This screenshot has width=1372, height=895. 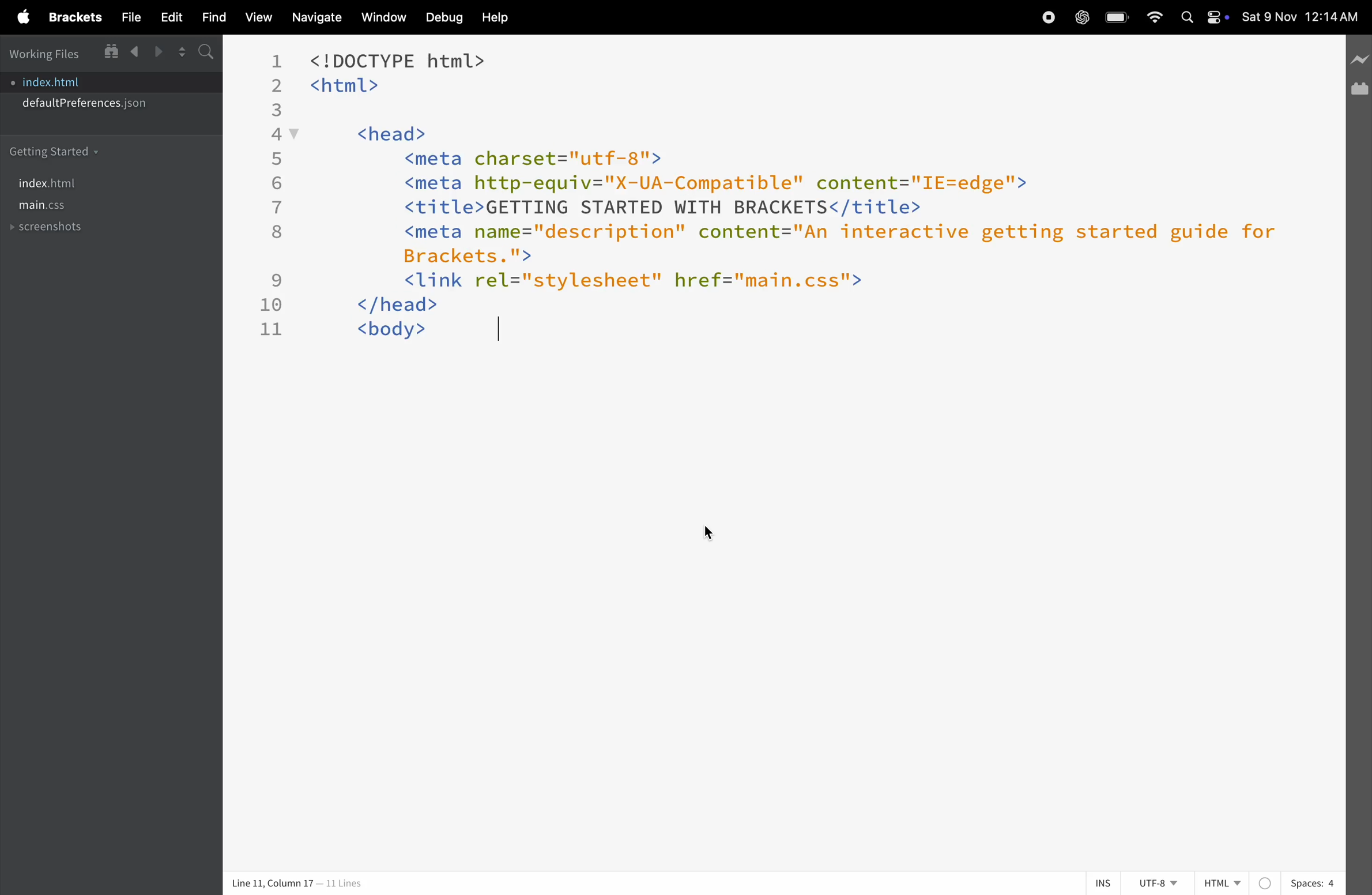 What do you see at coordinates (256, 19) in the screenshot?
I see `view` at bounding box center [256, 19].